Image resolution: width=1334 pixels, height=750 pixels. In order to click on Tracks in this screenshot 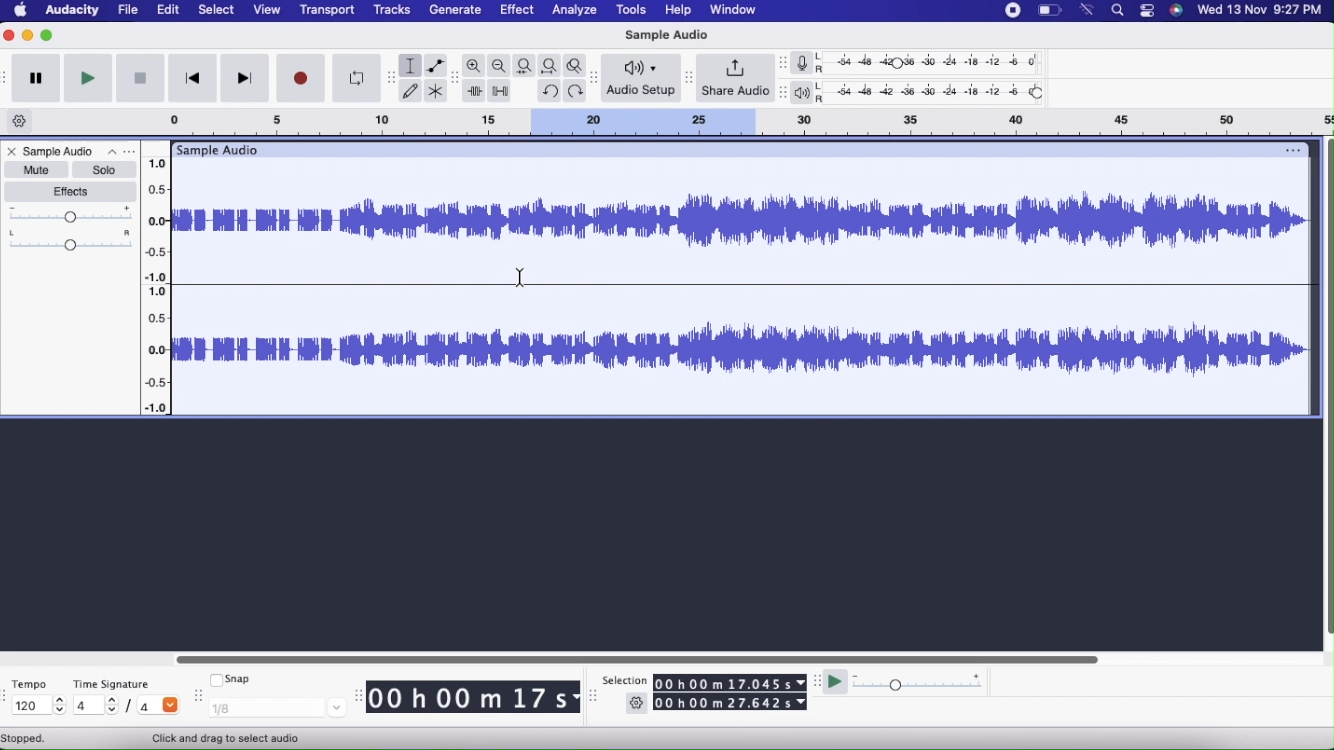, I will do `click(392, 9)`.